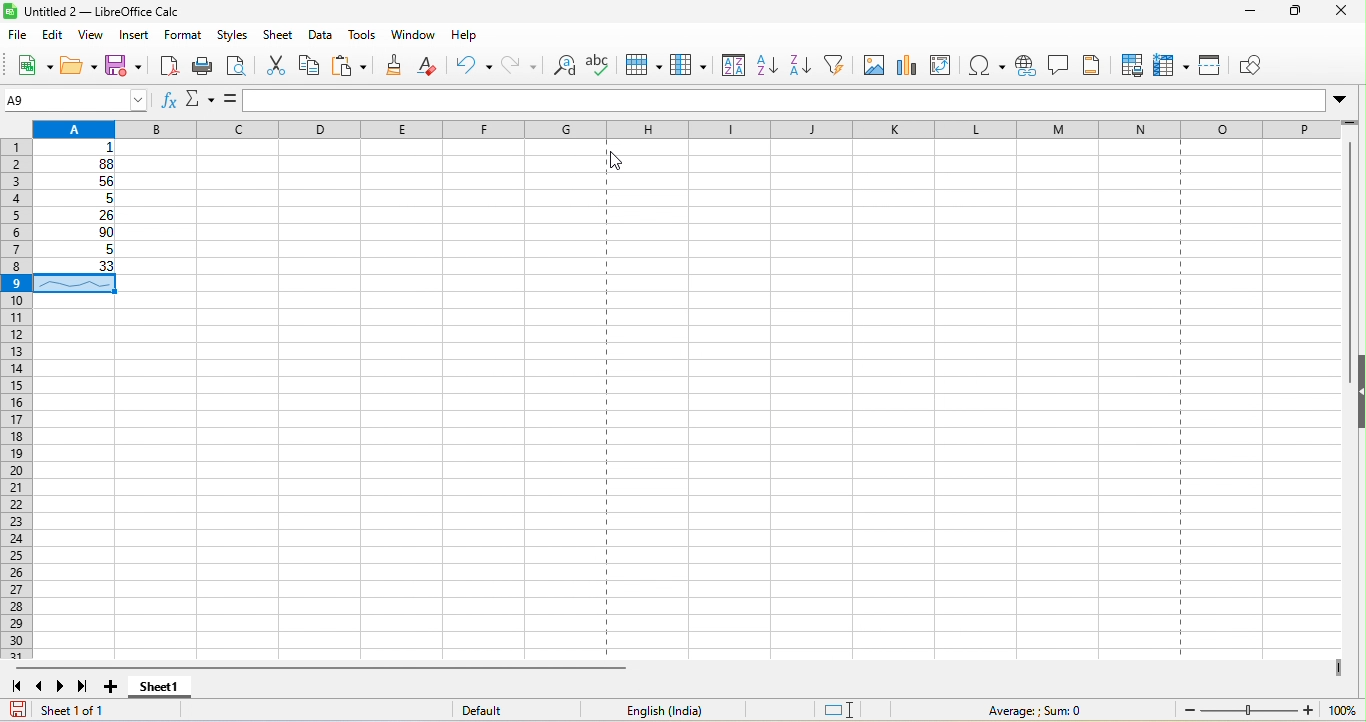  I want to click on 5, so click(81, 199).